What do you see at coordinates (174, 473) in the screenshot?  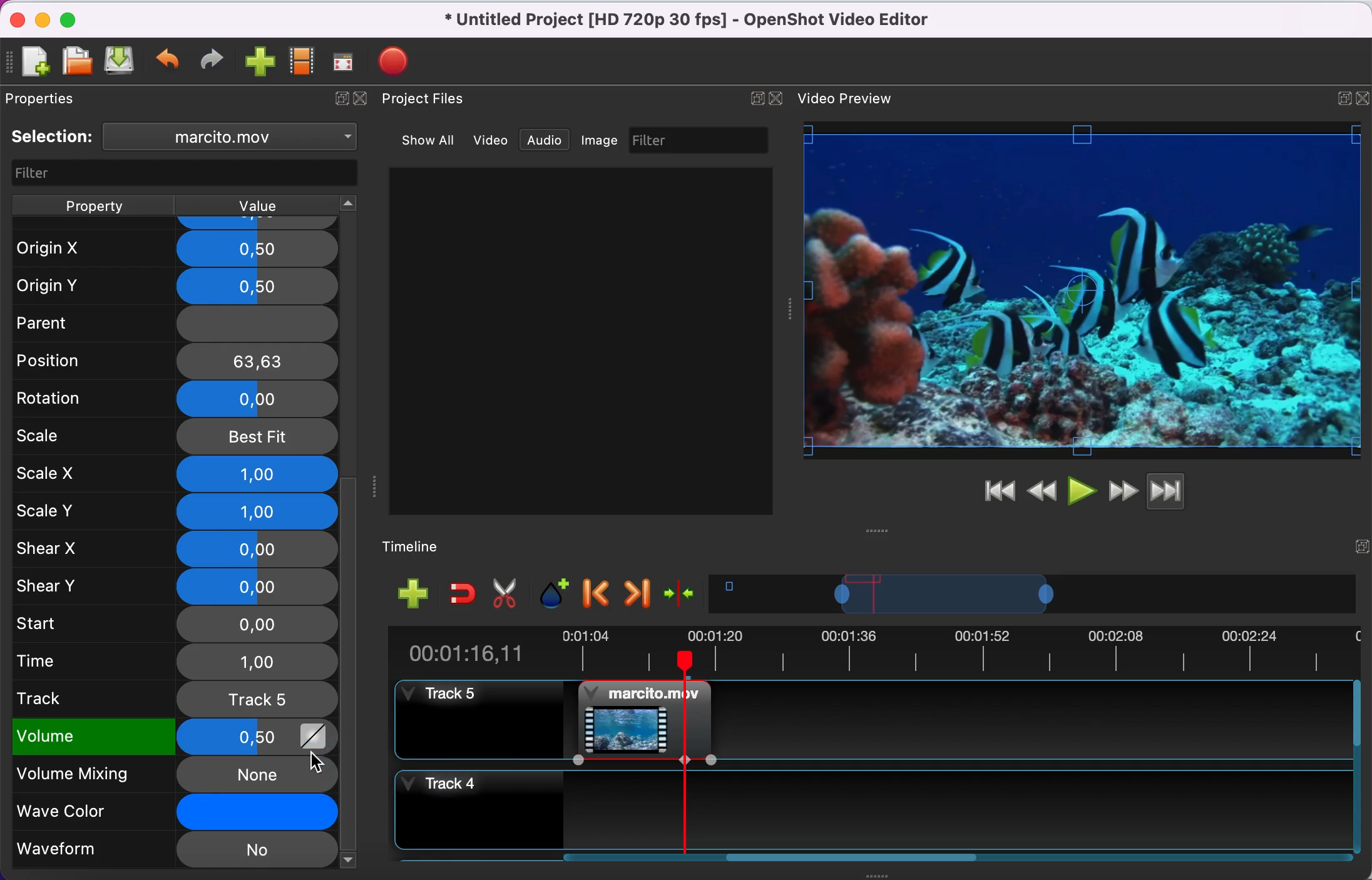 I see `scale x 1` at bounding box center [174, 473].